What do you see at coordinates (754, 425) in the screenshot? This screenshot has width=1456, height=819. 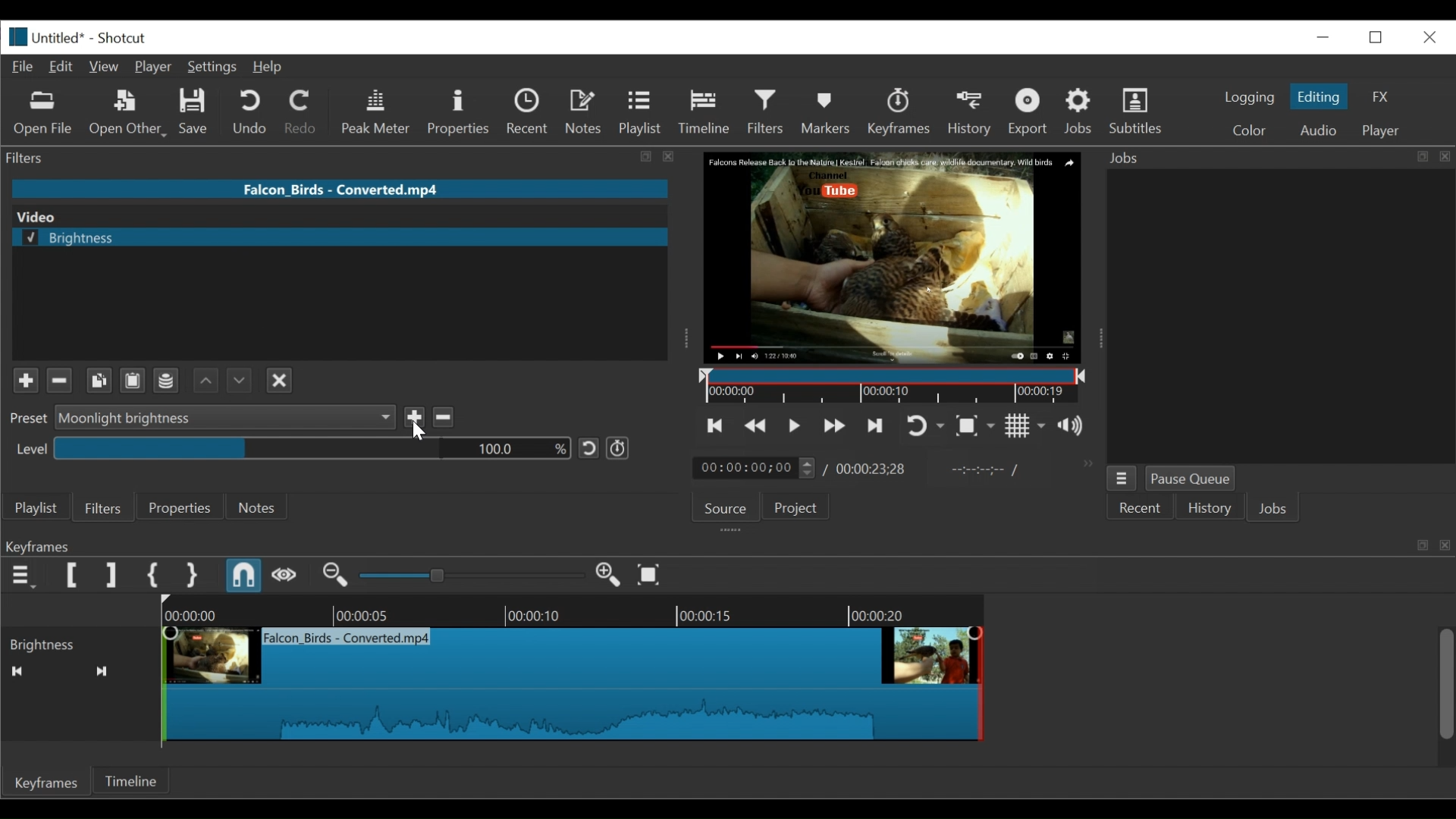 I see `Play backward quickly` at bounding box center [754, 425].